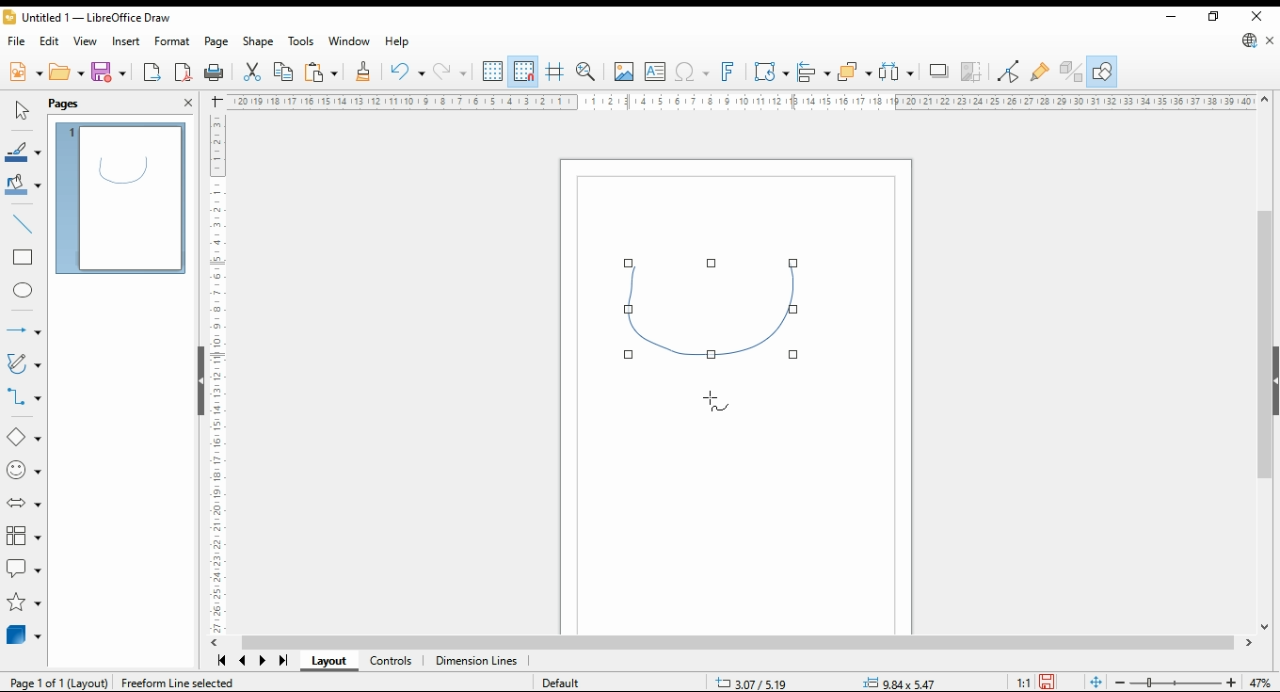  Describe the element at coordinates (716, 402) in the screenshot. I see `mouse pointer` at that location.